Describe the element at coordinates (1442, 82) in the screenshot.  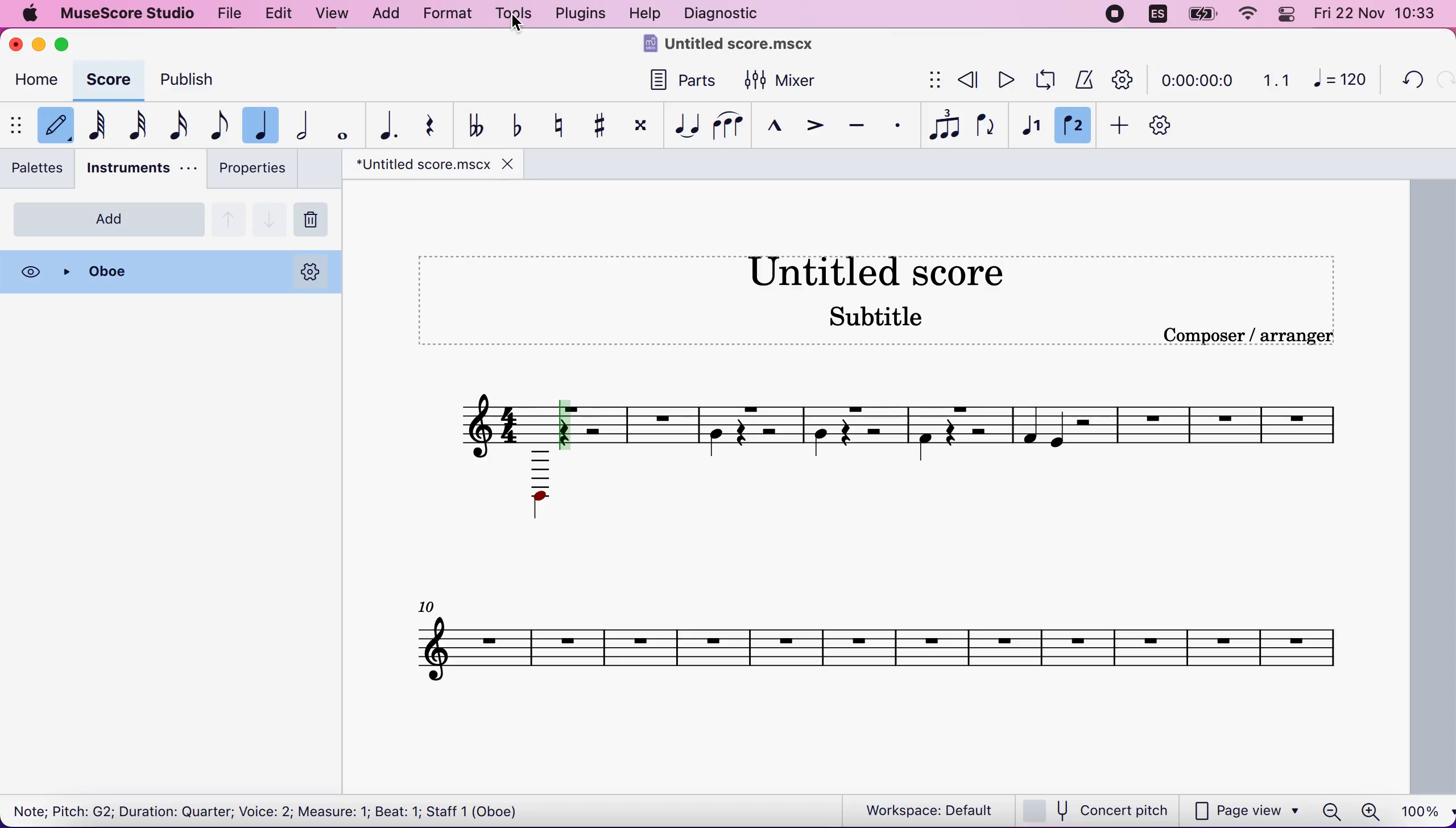
I see `redo` at that location.